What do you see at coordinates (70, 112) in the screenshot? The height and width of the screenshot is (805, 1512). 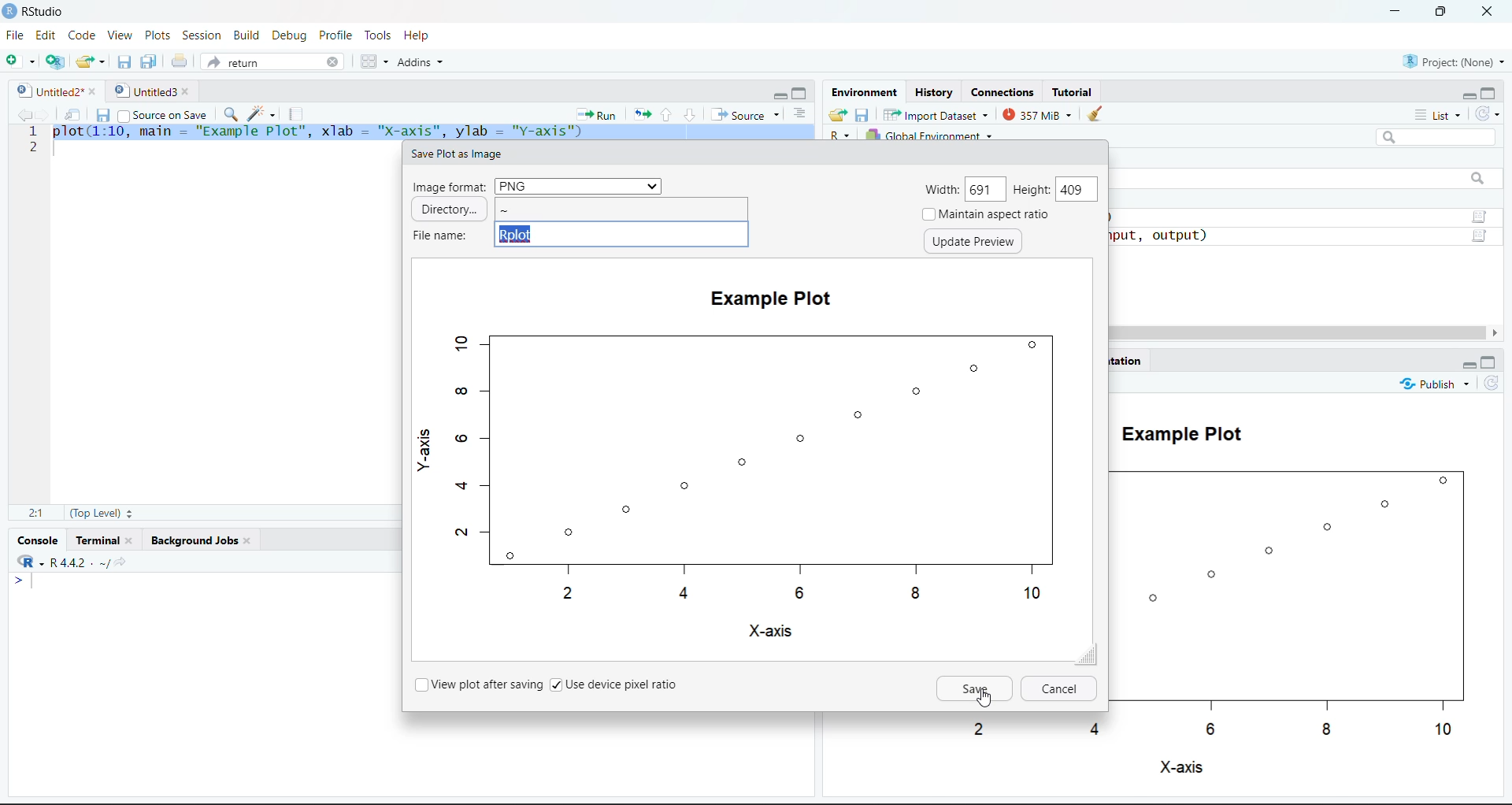 I see `Show in new window` at bounding box center [70, 112].